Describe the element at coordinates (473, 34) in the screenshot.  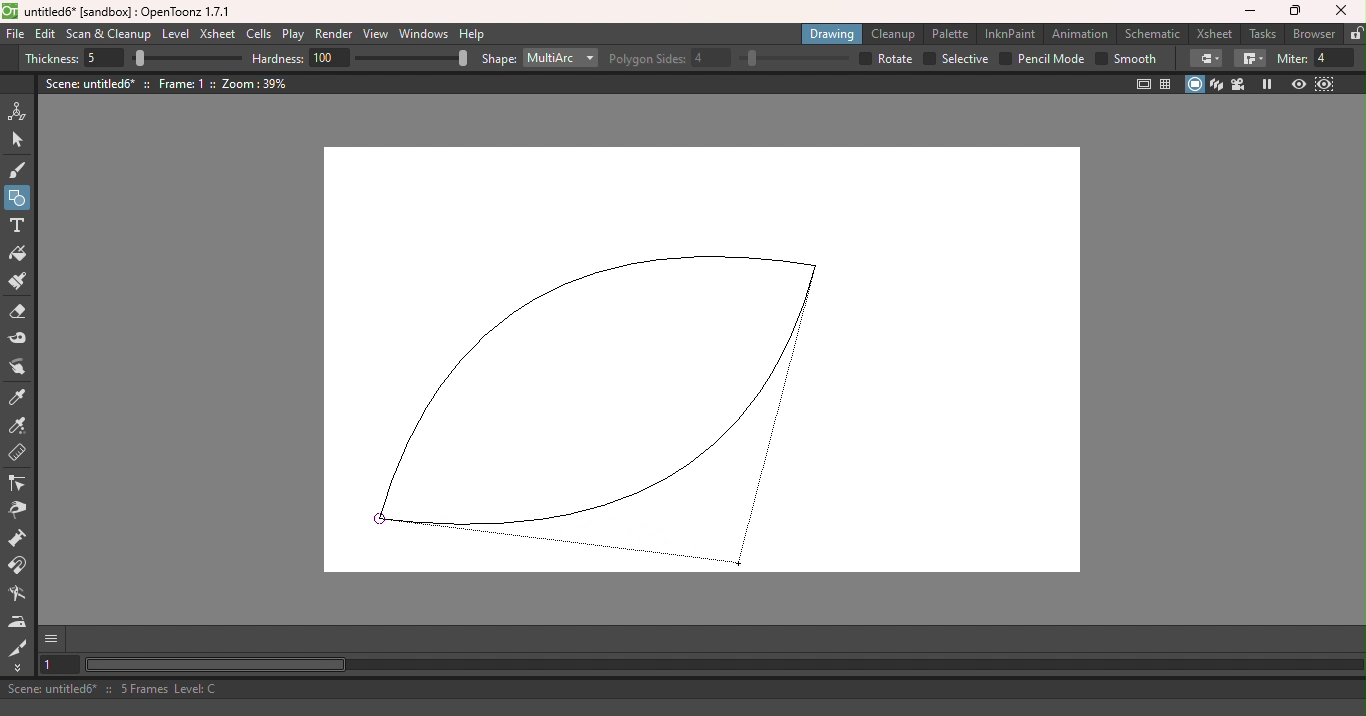
I see `Help` at that location.